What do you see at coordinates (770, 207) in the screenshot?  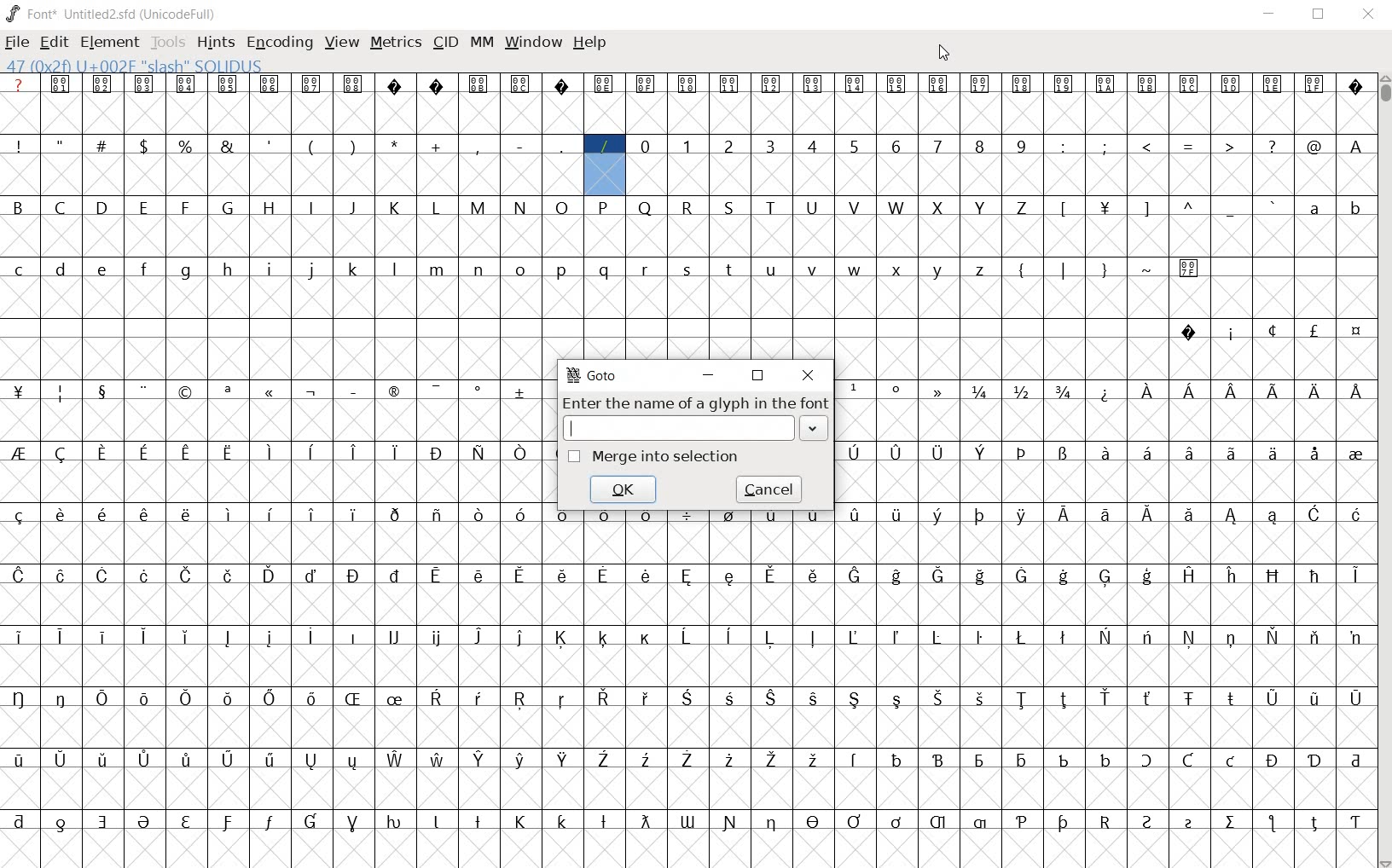 I see `glyph` at bounding box center [770, 207].